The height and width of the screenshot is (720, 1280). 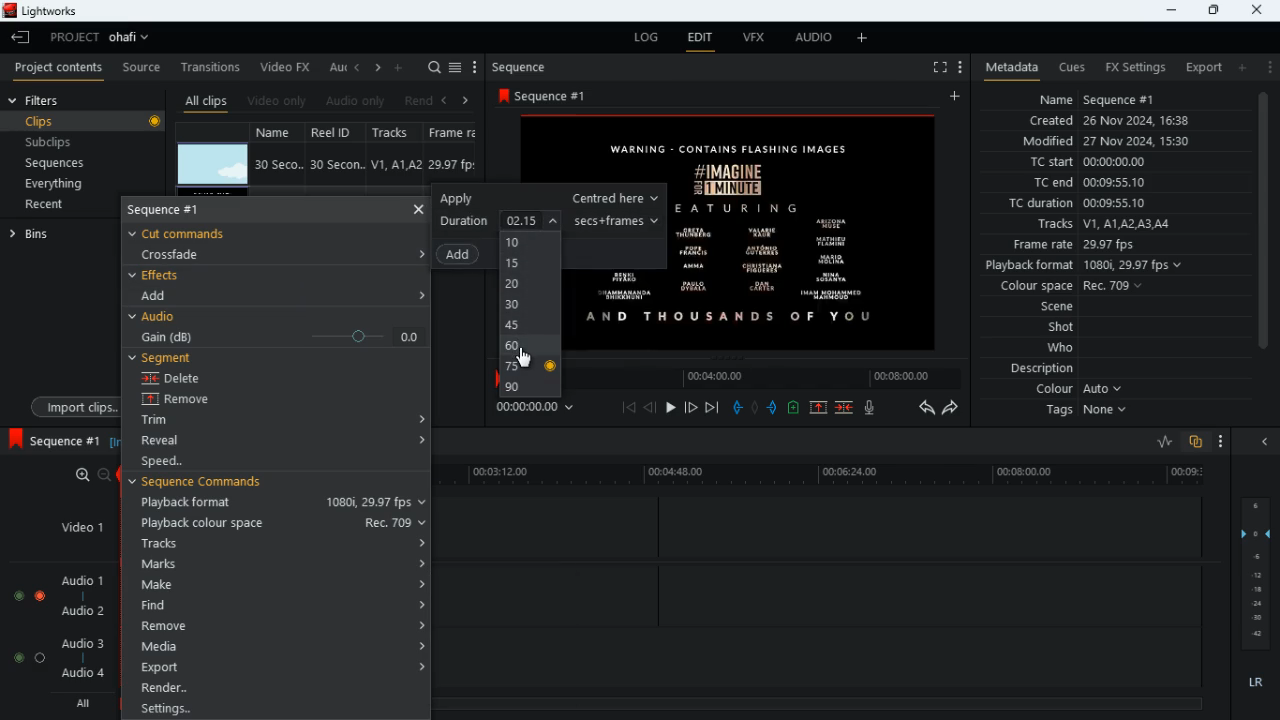 I want to click on colour, so click(x=1080, y=390).